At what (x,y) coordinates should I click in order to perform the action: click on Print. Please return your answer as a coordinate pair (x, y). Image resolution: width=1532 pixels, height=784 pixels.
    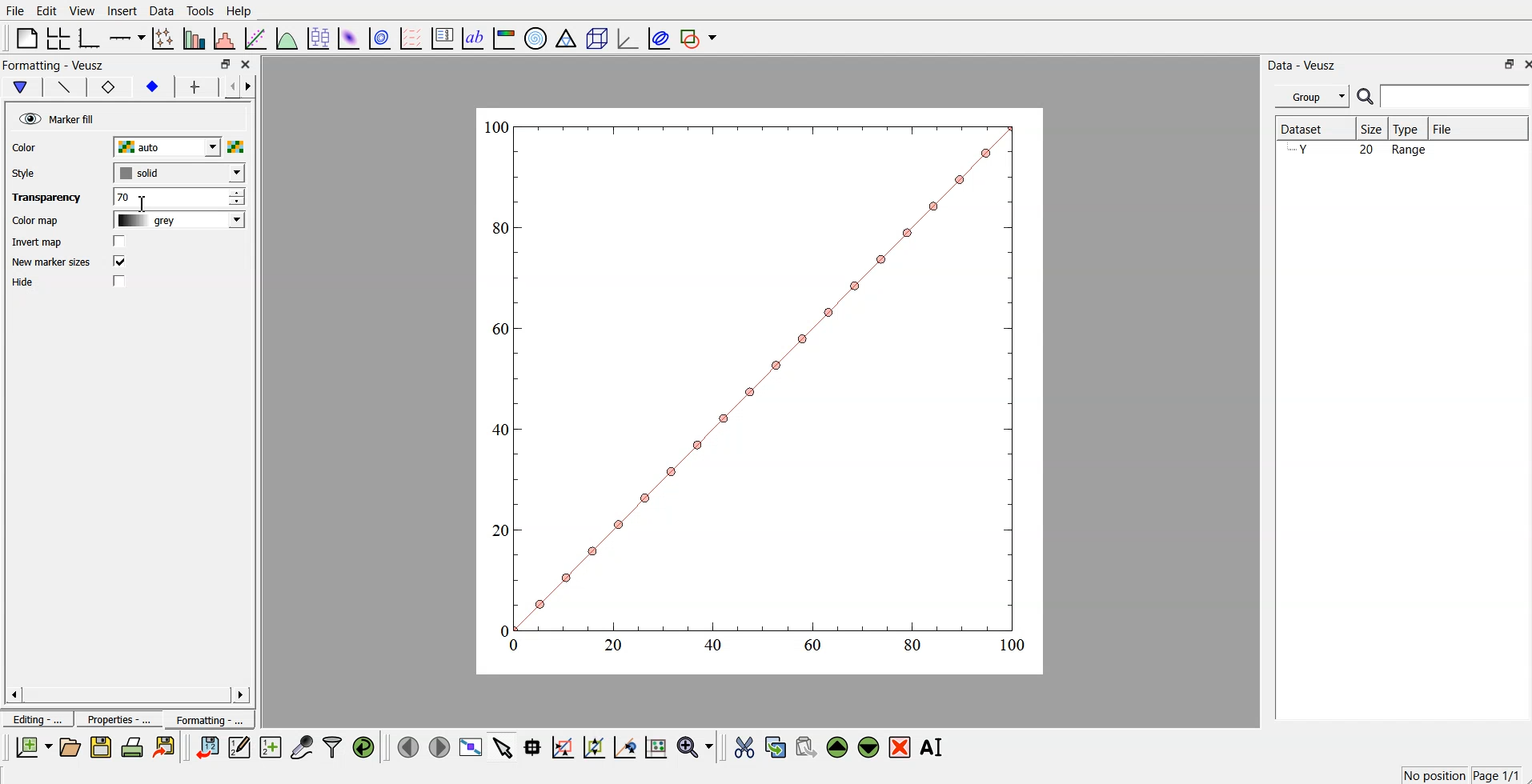
    Looking at the image, I should click on (133, 747).